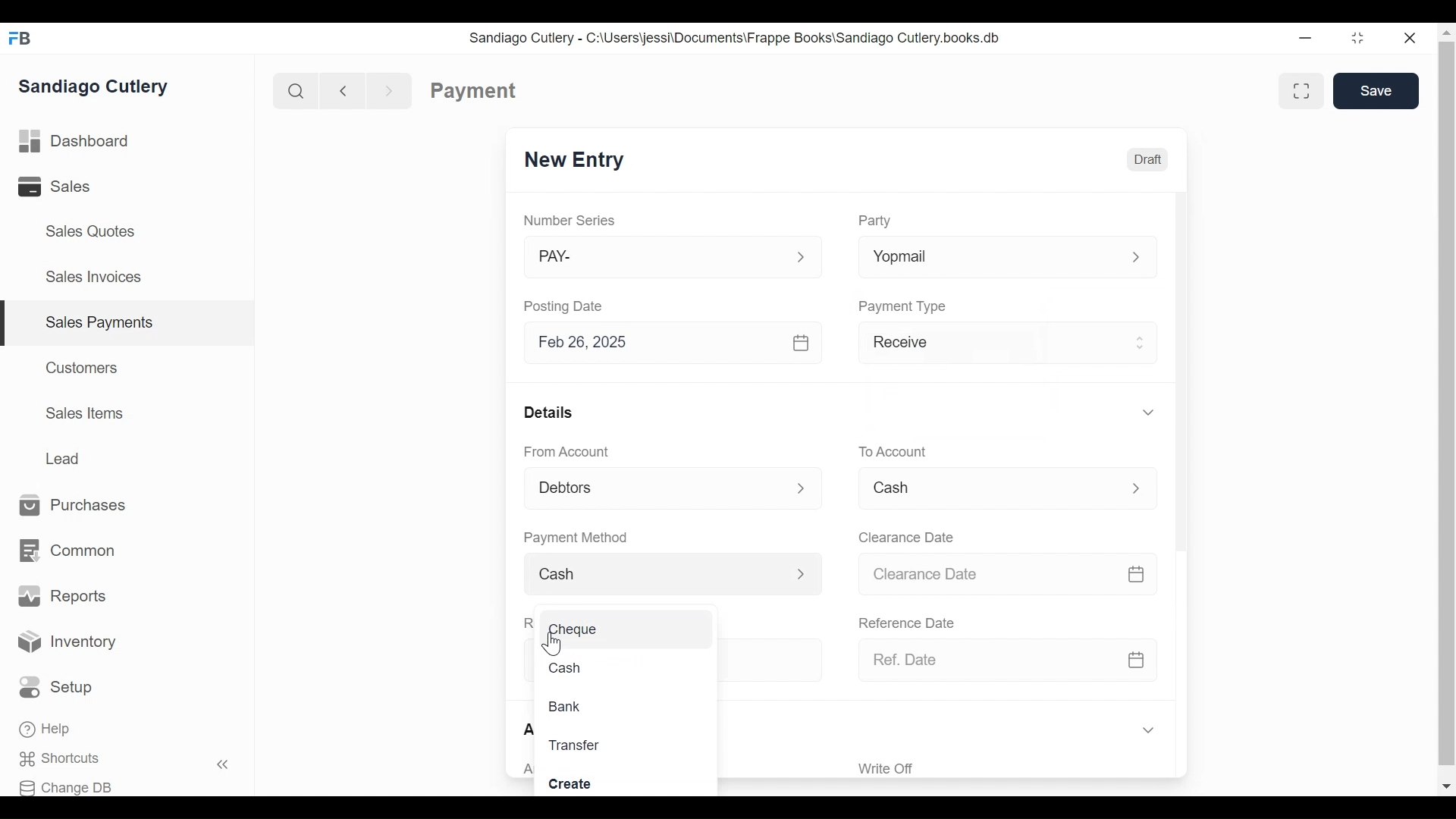 The image size is (1456, 819). What do you see at coordinates (992, 342) in the screenshot?
I see `Receive` at bounding box center [992, 342].